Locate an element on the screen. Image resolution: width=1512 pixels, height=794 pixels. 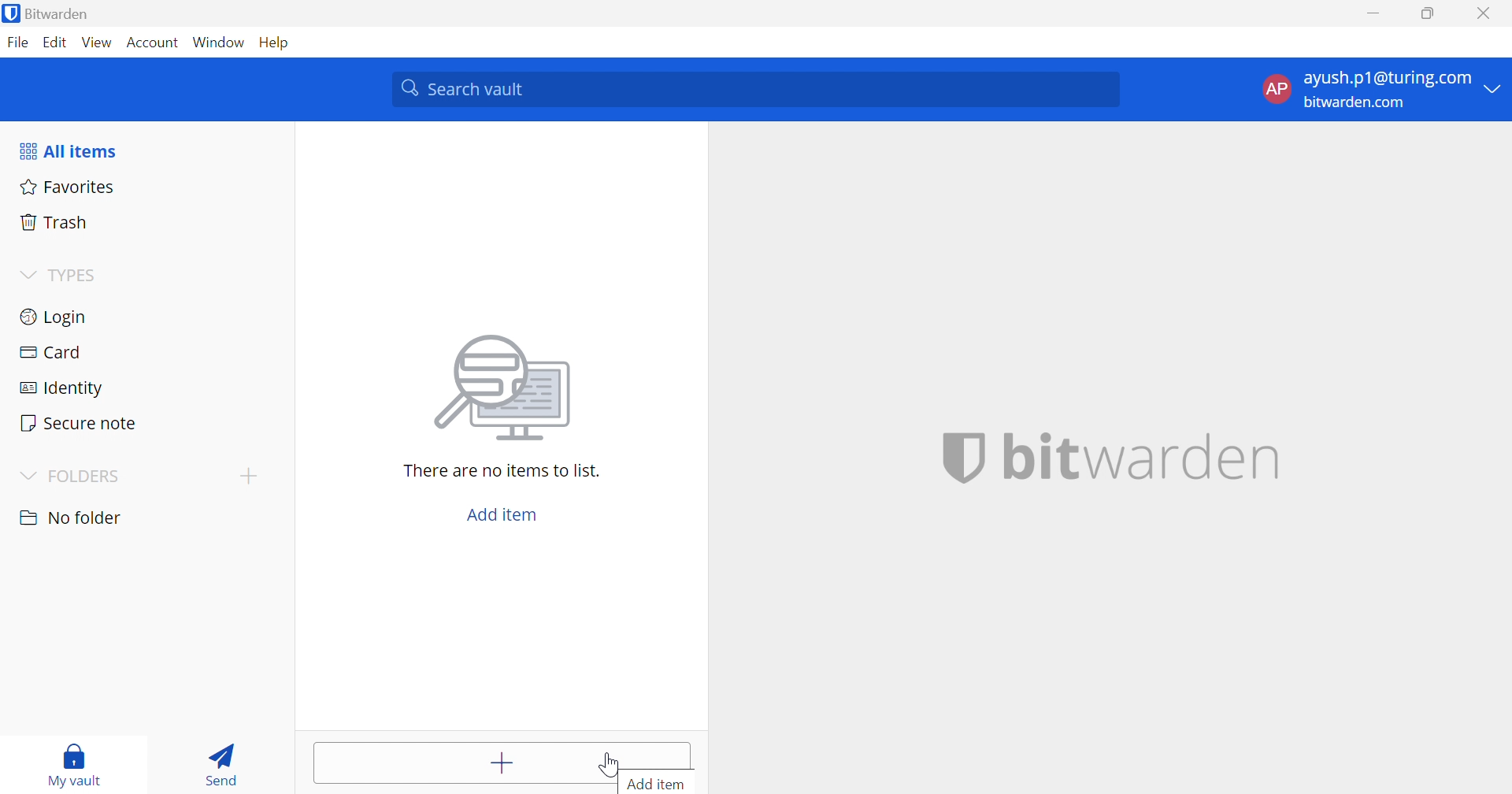
Restore Down is located at coordinates (1429, 14).